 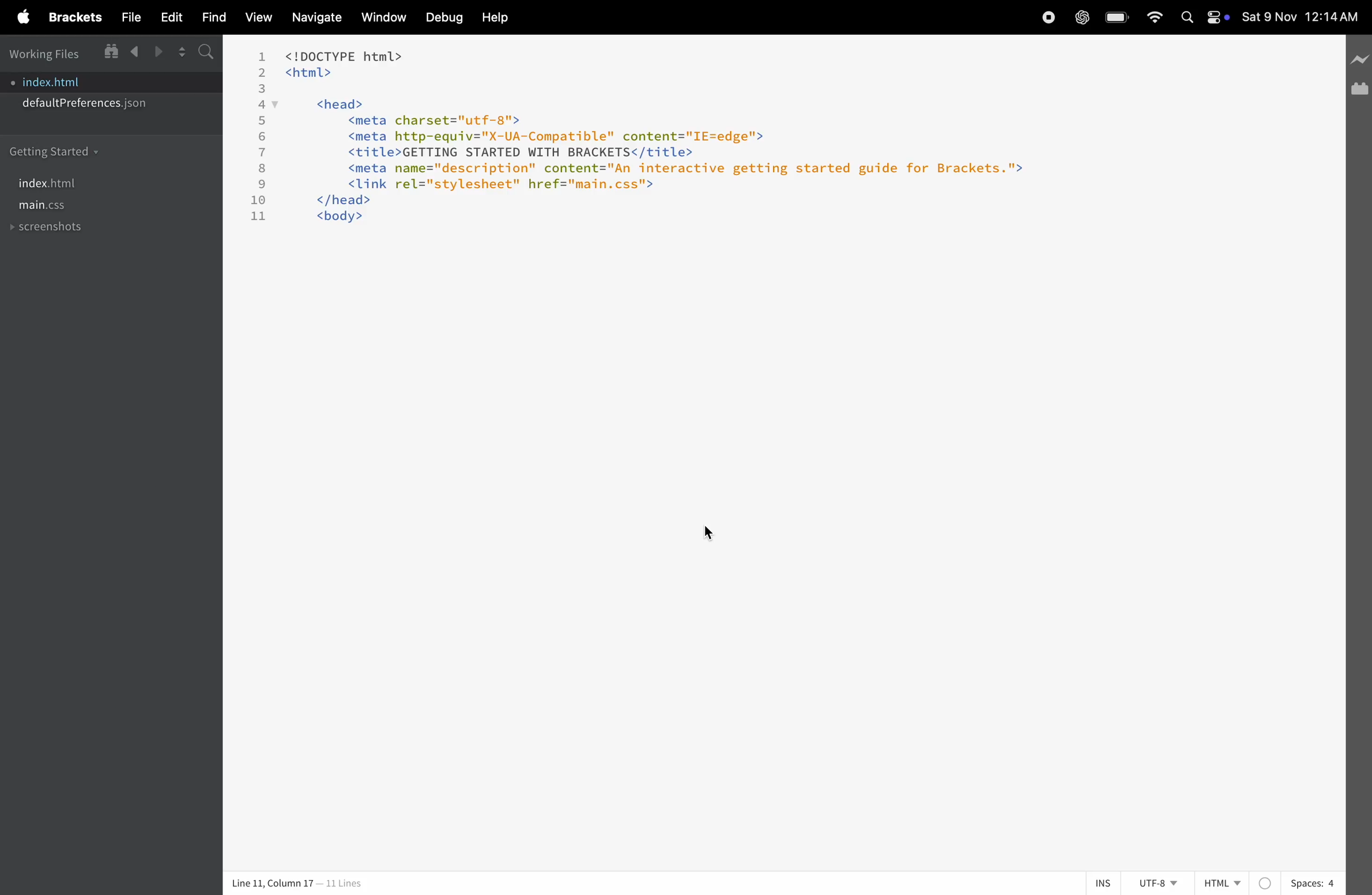 I want to click on working files, so click(x=47, y=54).